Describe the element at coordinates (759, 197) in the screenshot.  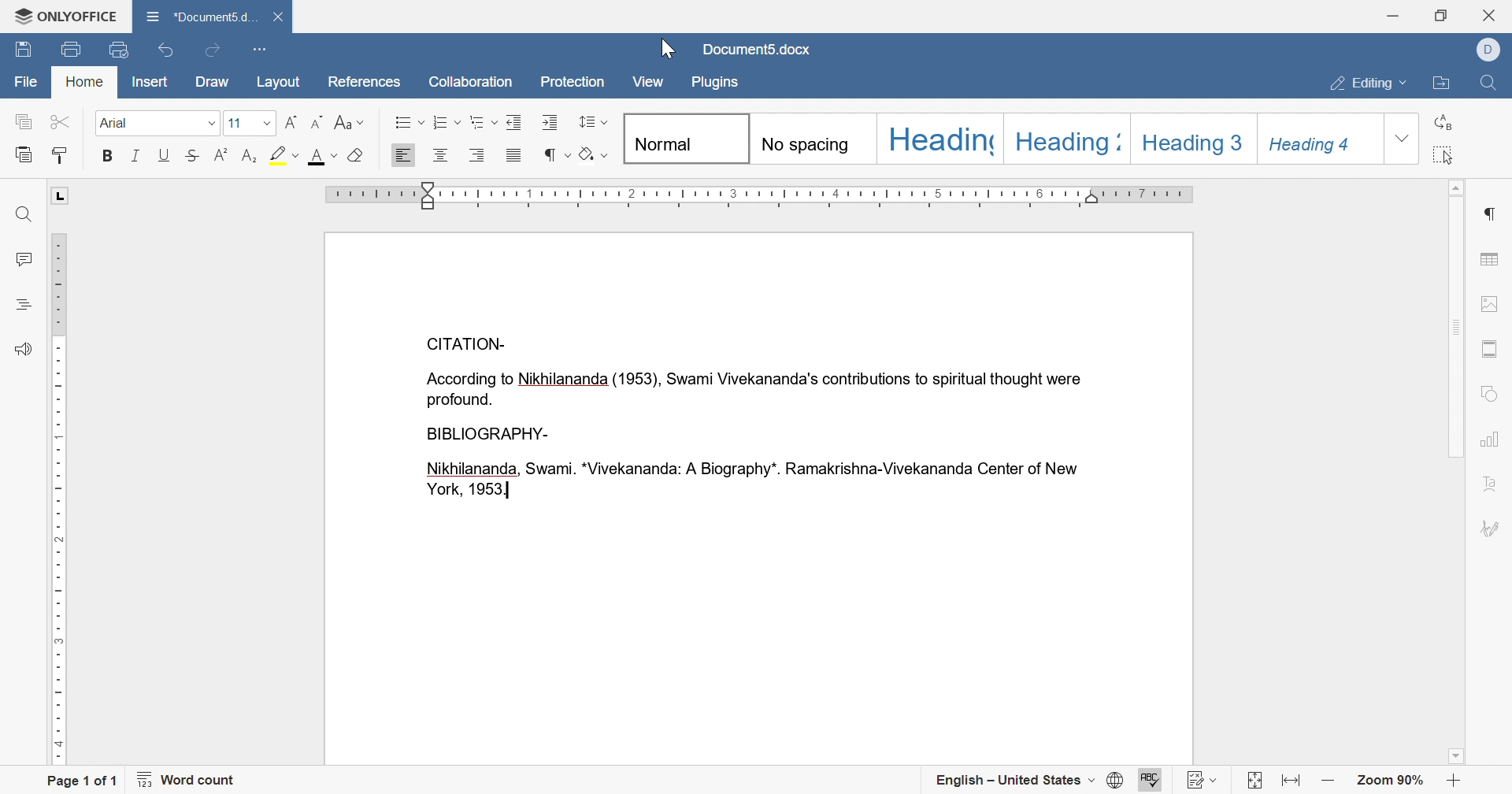
I see `ruler` at that location.